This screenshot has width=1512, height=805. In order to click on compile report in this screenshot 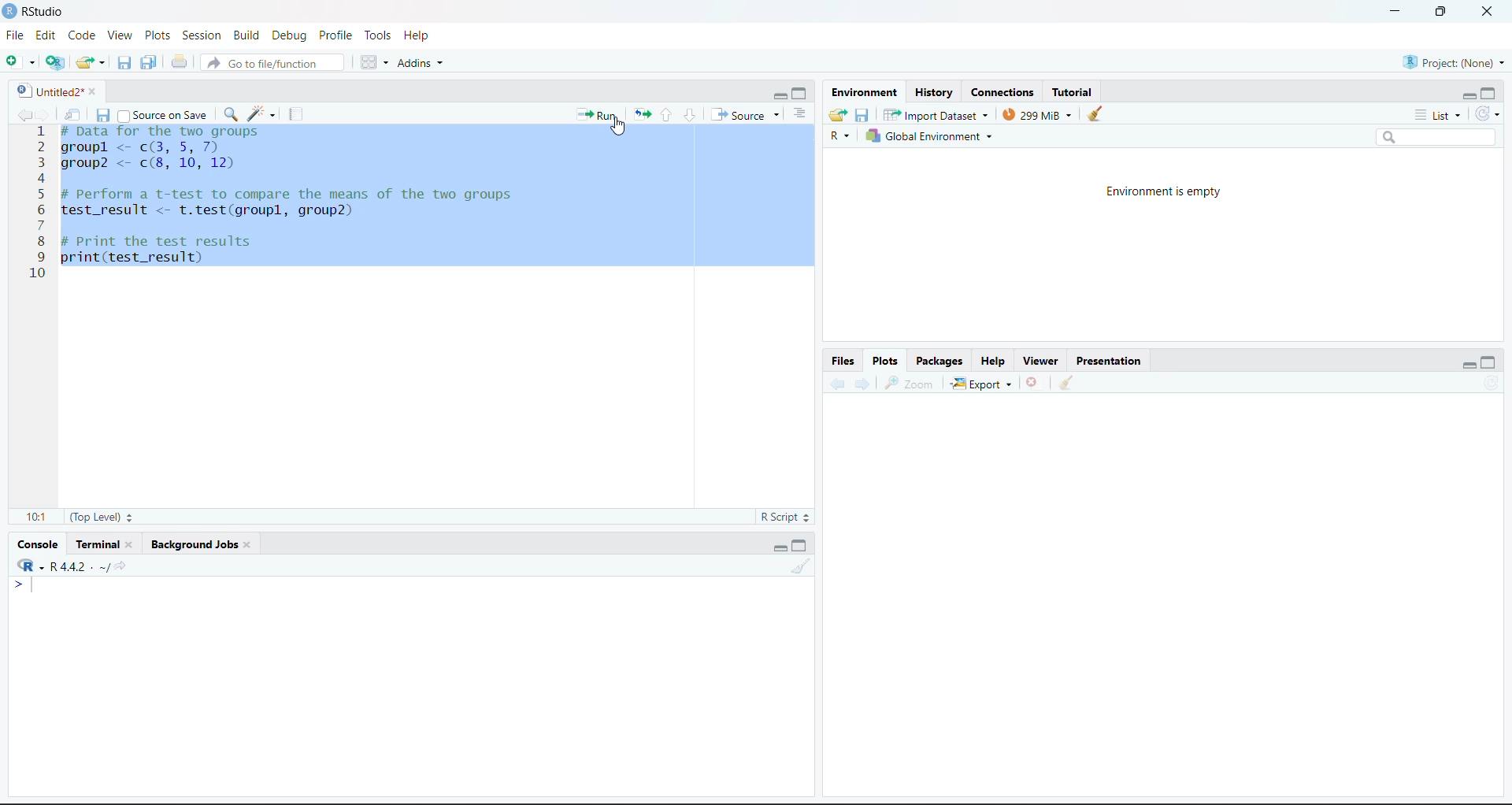, I will do `click(294, 113)`.